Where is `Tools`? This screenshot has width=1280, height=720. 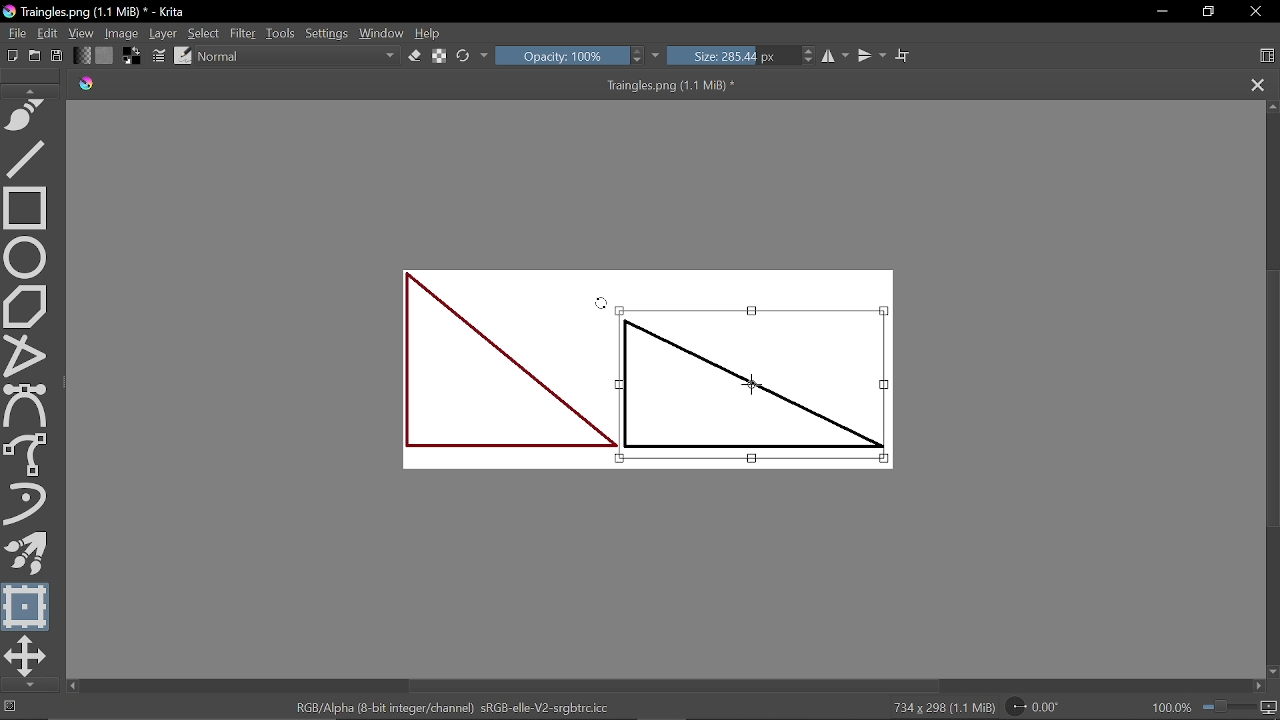 Tools is located at coordinates (282, 33).